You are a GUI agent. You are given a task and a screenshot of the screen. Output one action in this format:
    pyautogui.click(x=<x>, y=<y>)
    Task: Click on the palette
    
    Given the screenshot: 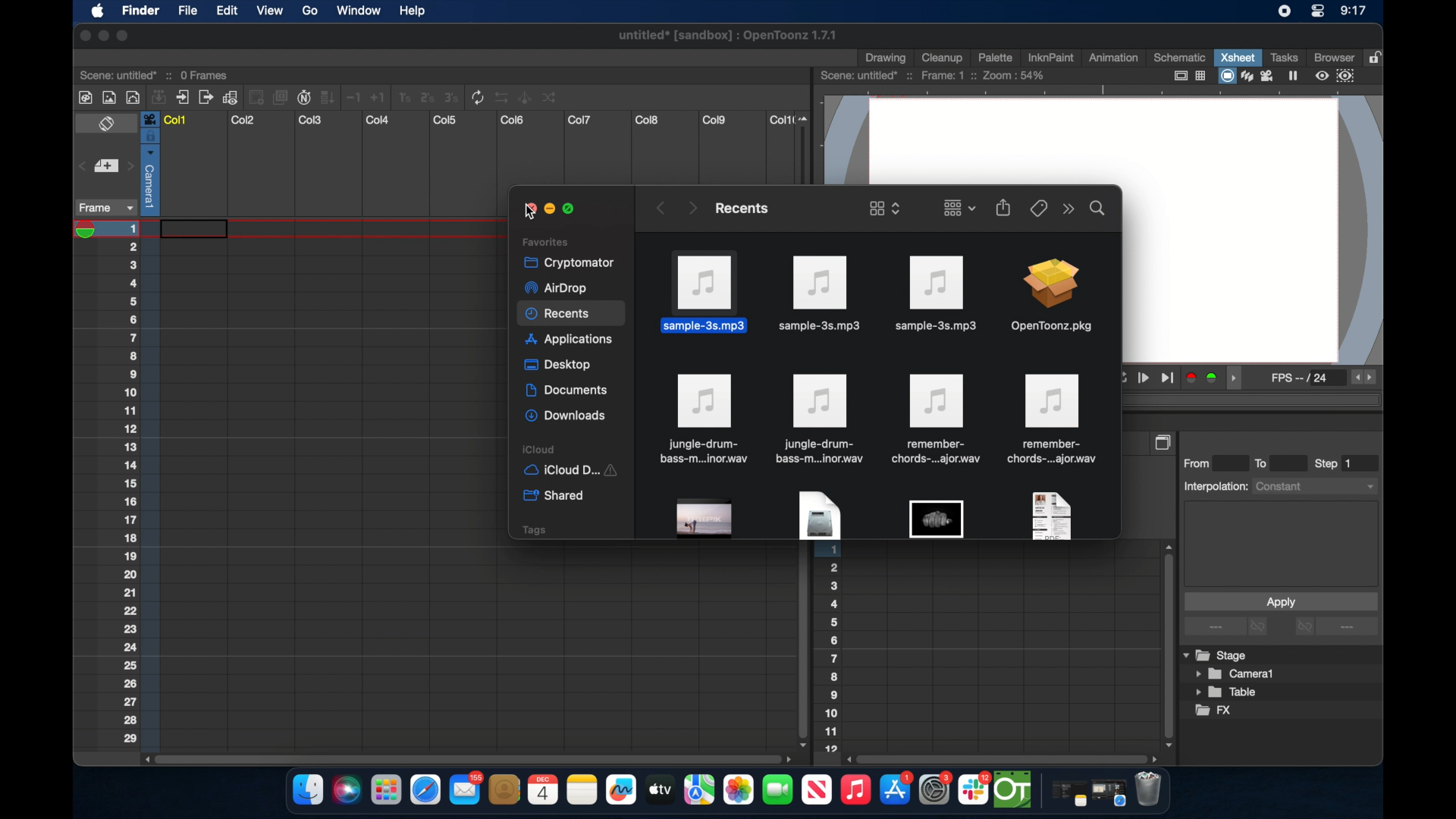 What is the action you would take?
    pyautogui.click(x=996, y=57)
    